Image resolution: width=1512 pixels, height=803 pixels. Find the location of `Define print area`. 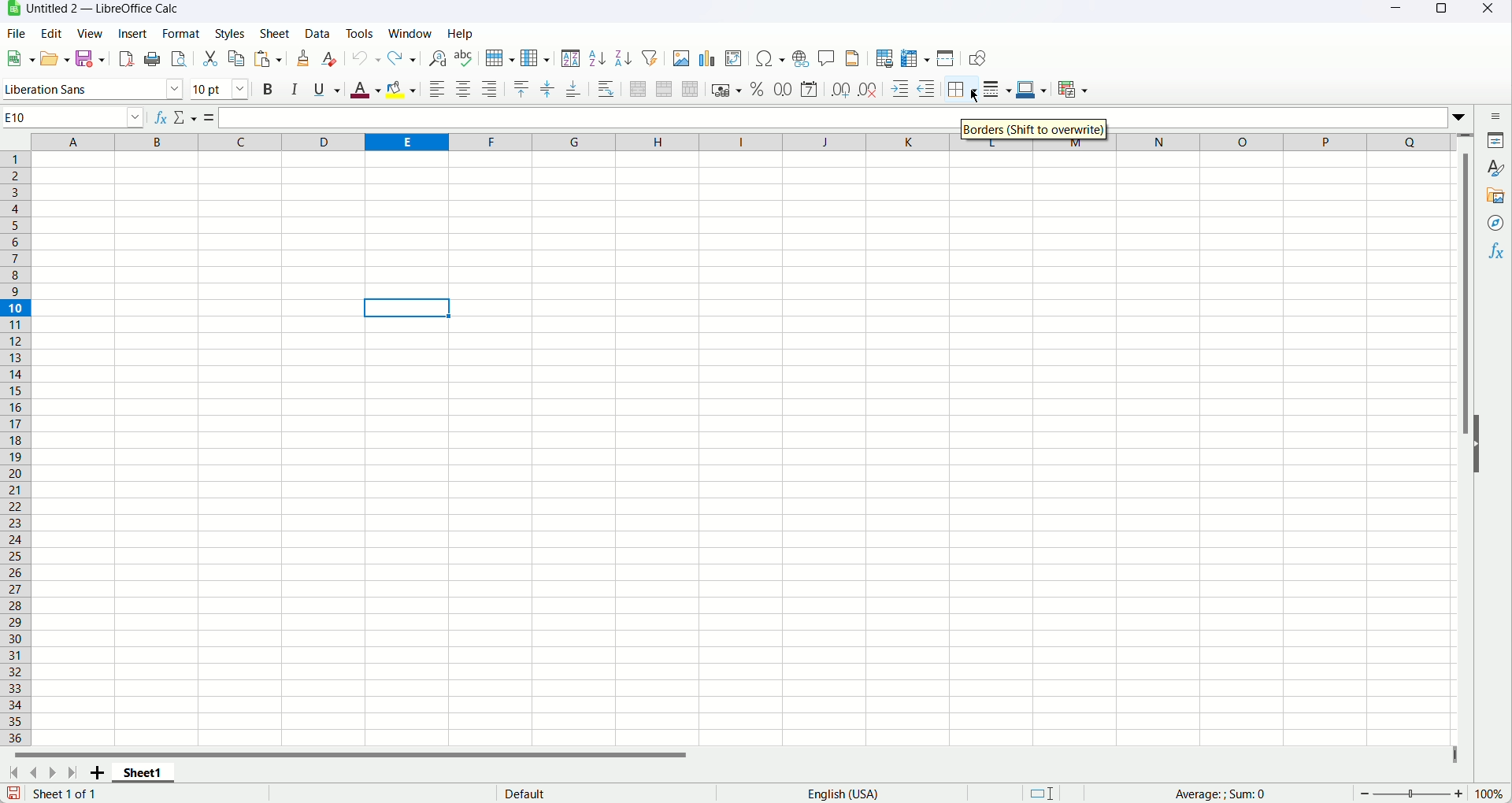

Define print area is located at coordinates (884, 57).